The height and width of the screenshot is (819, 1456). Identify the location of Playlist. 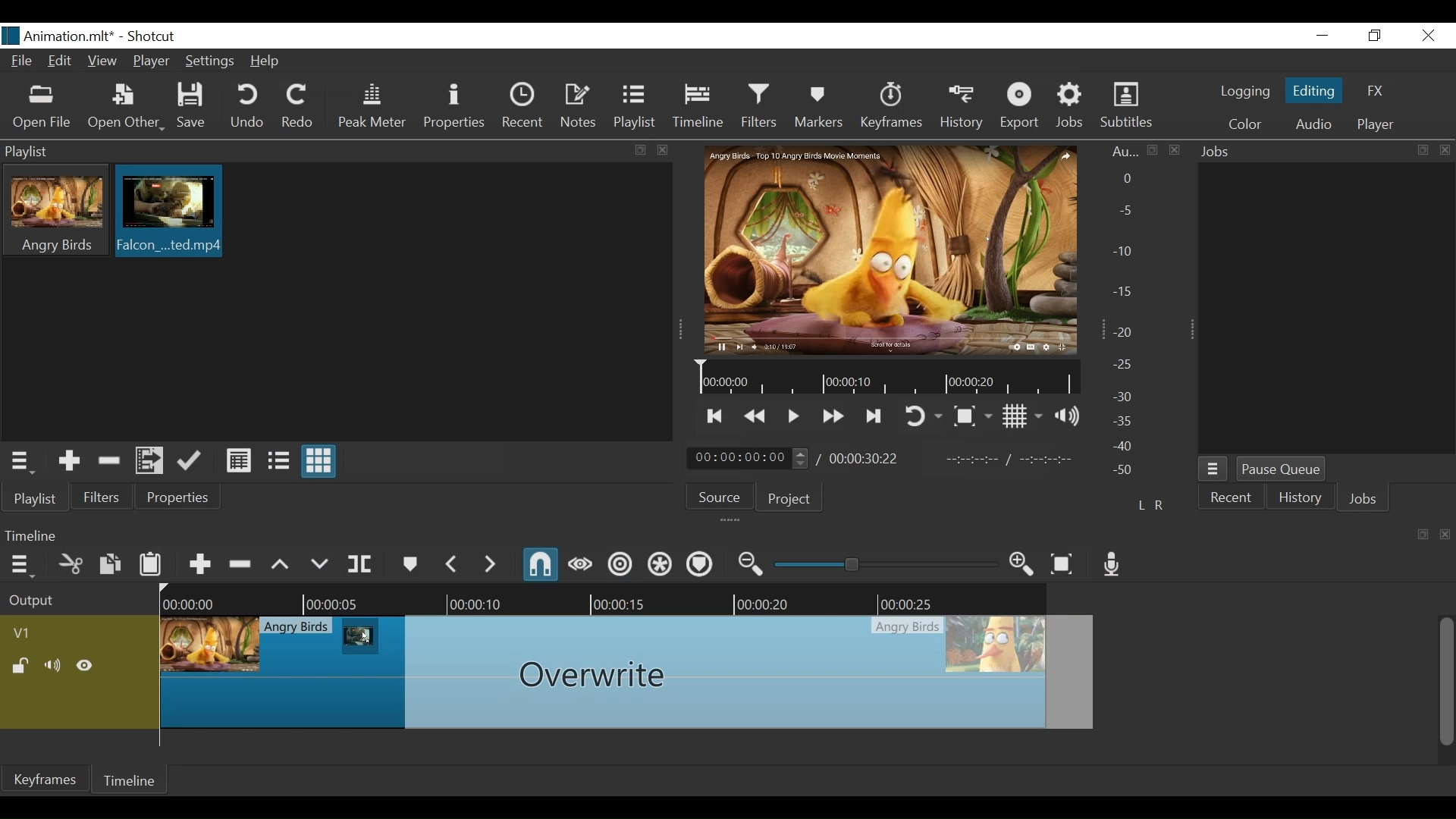
(635, 108).